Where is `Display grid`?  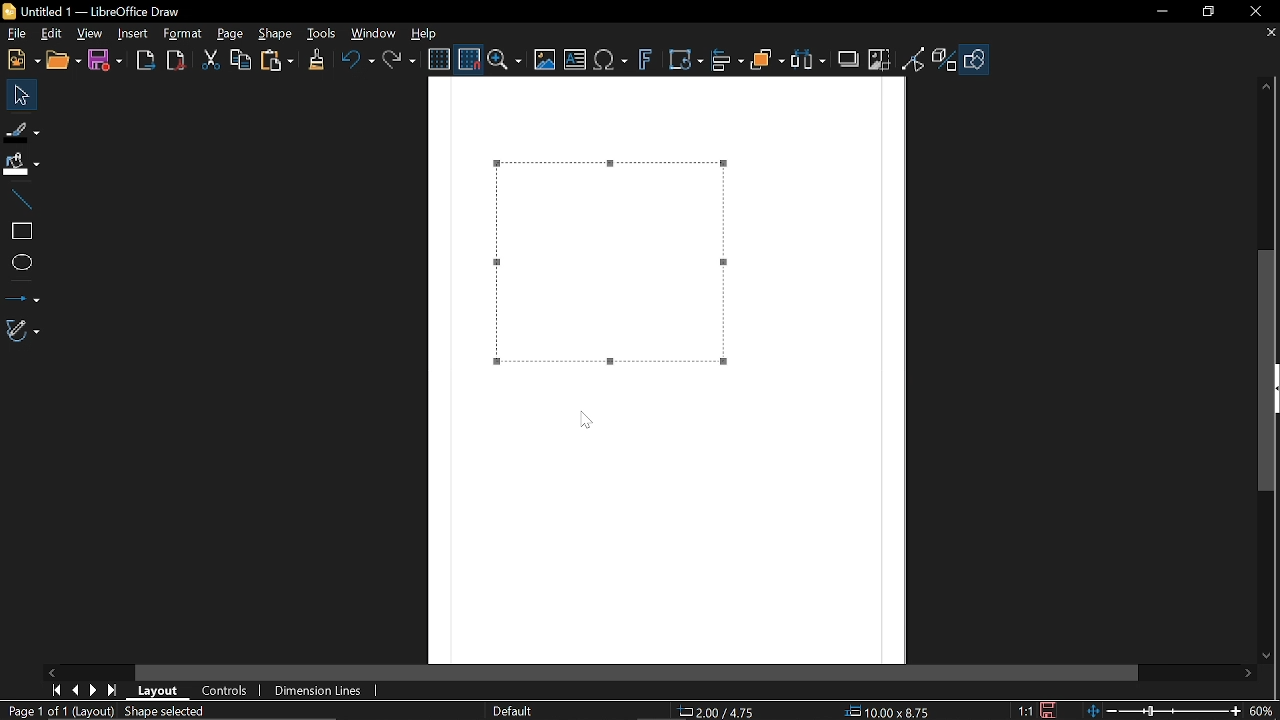 Display grid is located at coordinates (439, 60).